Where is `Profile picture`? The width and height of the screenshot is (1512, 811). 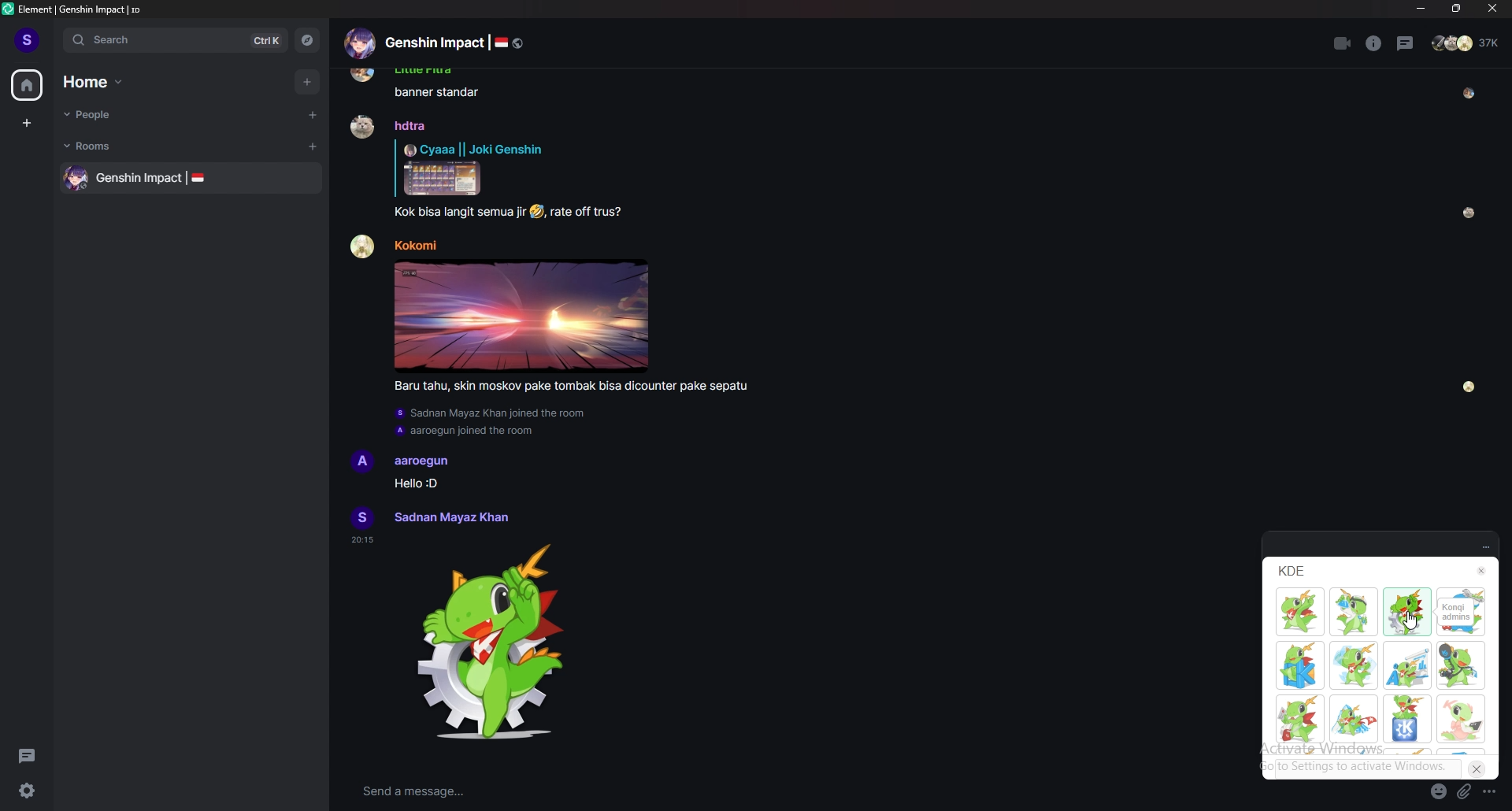 Profile picture is located at coordinates (361, 126).